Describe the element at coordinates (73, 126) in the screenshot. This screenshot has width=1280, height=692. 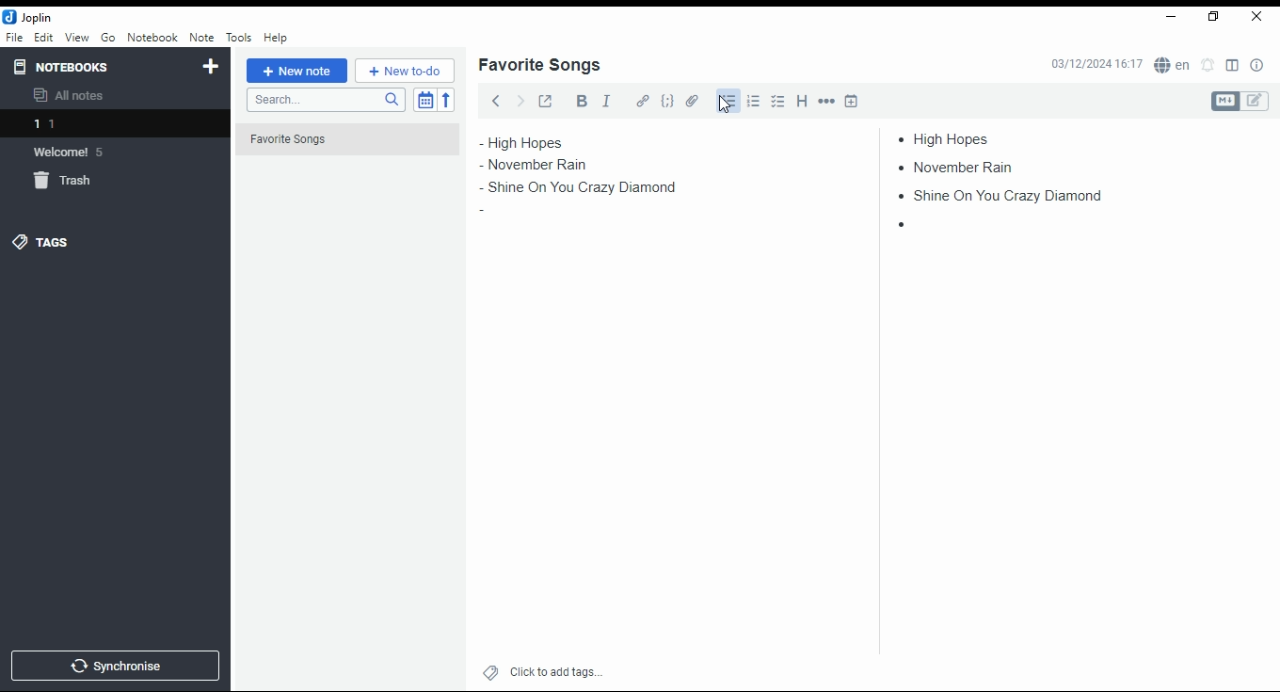
I see `notebook 1` at that location.